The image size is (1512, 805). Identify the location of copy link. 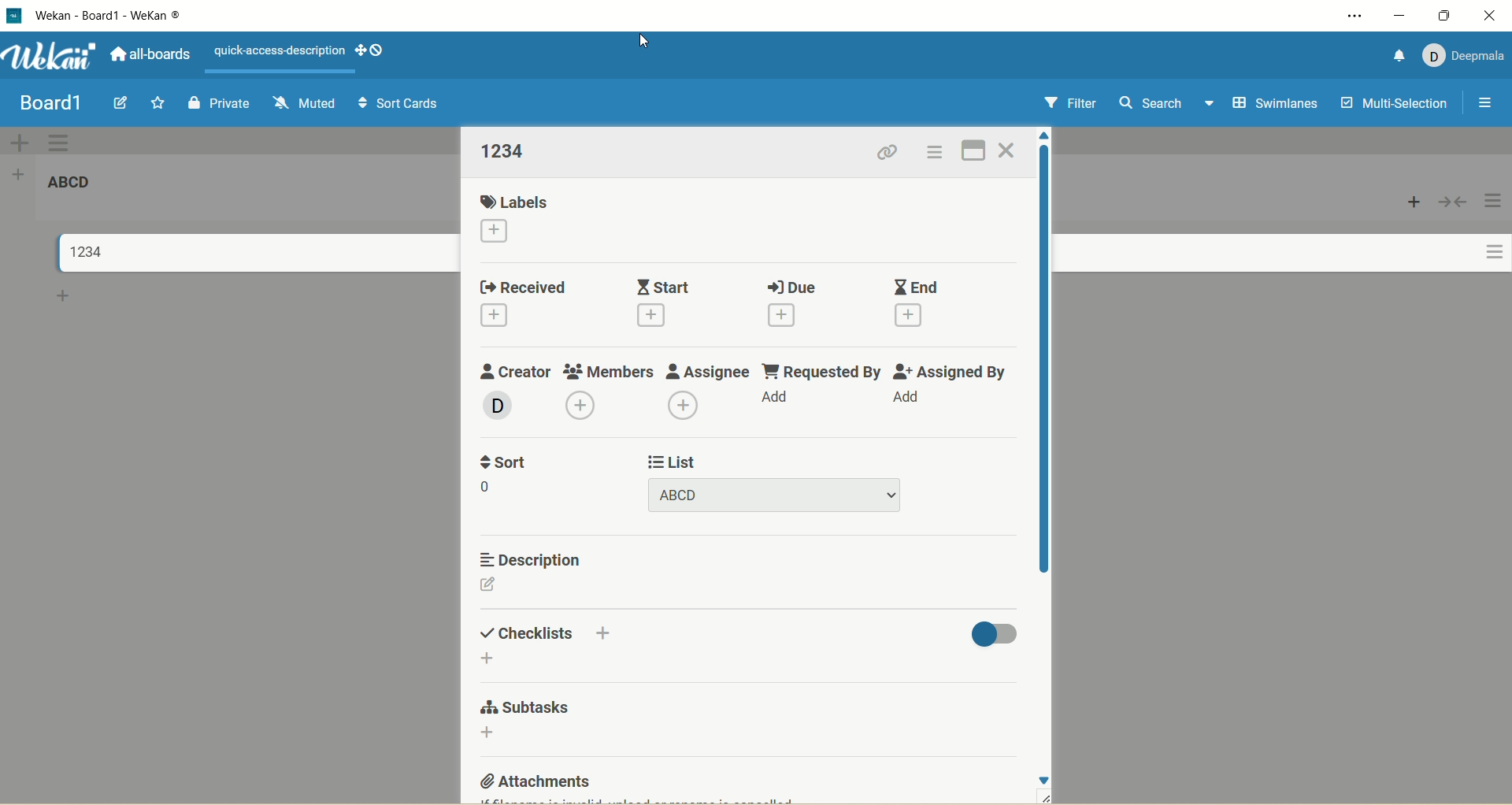
(890, 154).